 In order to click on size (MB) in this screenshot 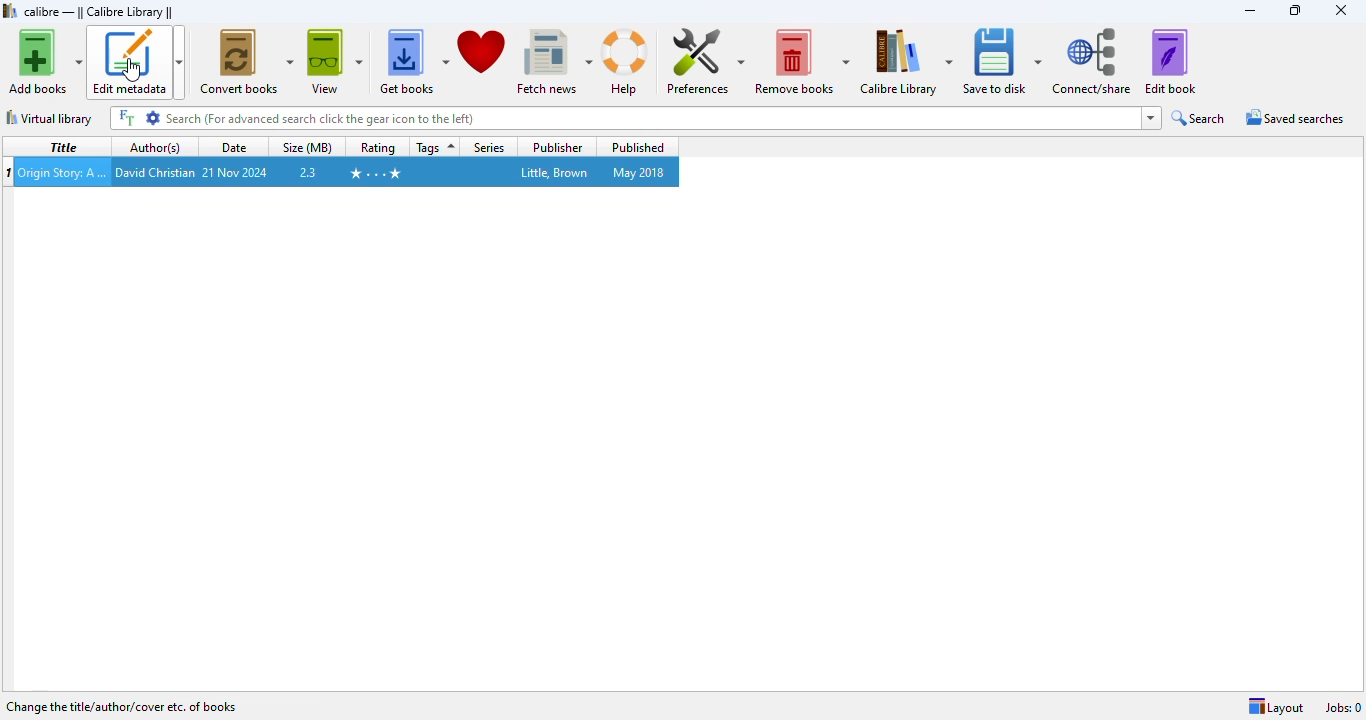, I will do `click(309, 148)`.